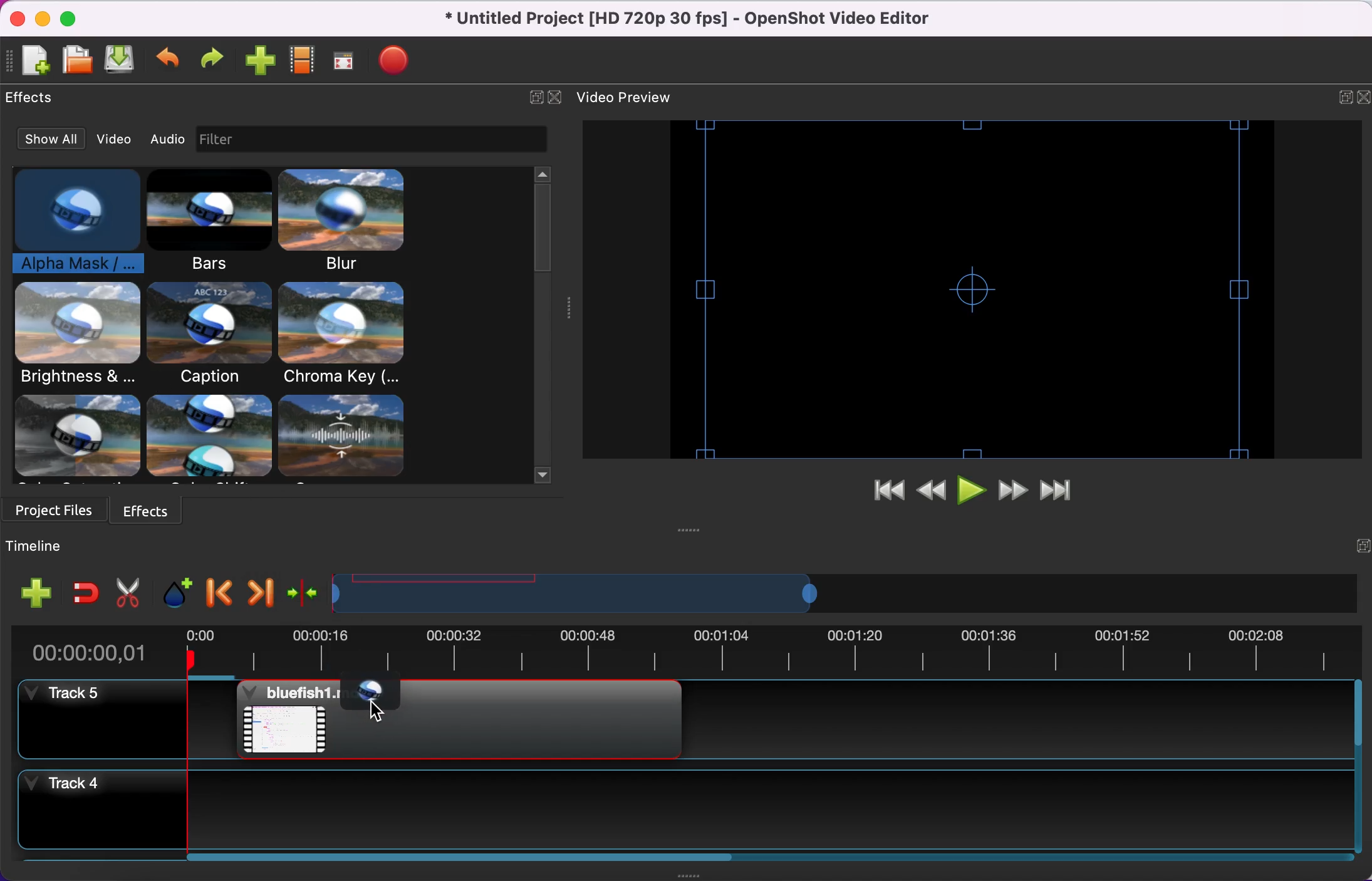  I want to click on audio, so click(167, 137).